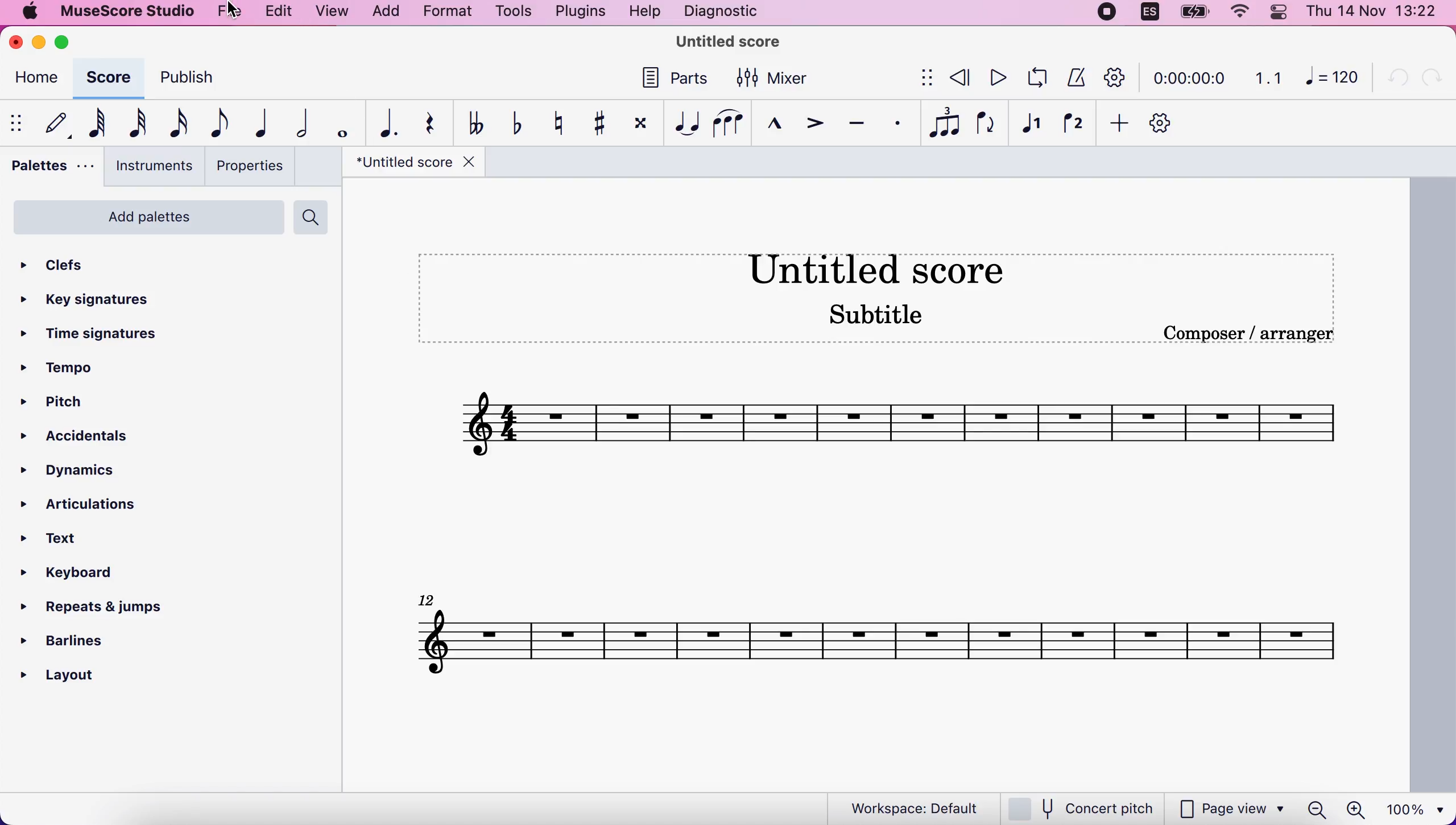  I want to click on keyboard, so click(77, 577).